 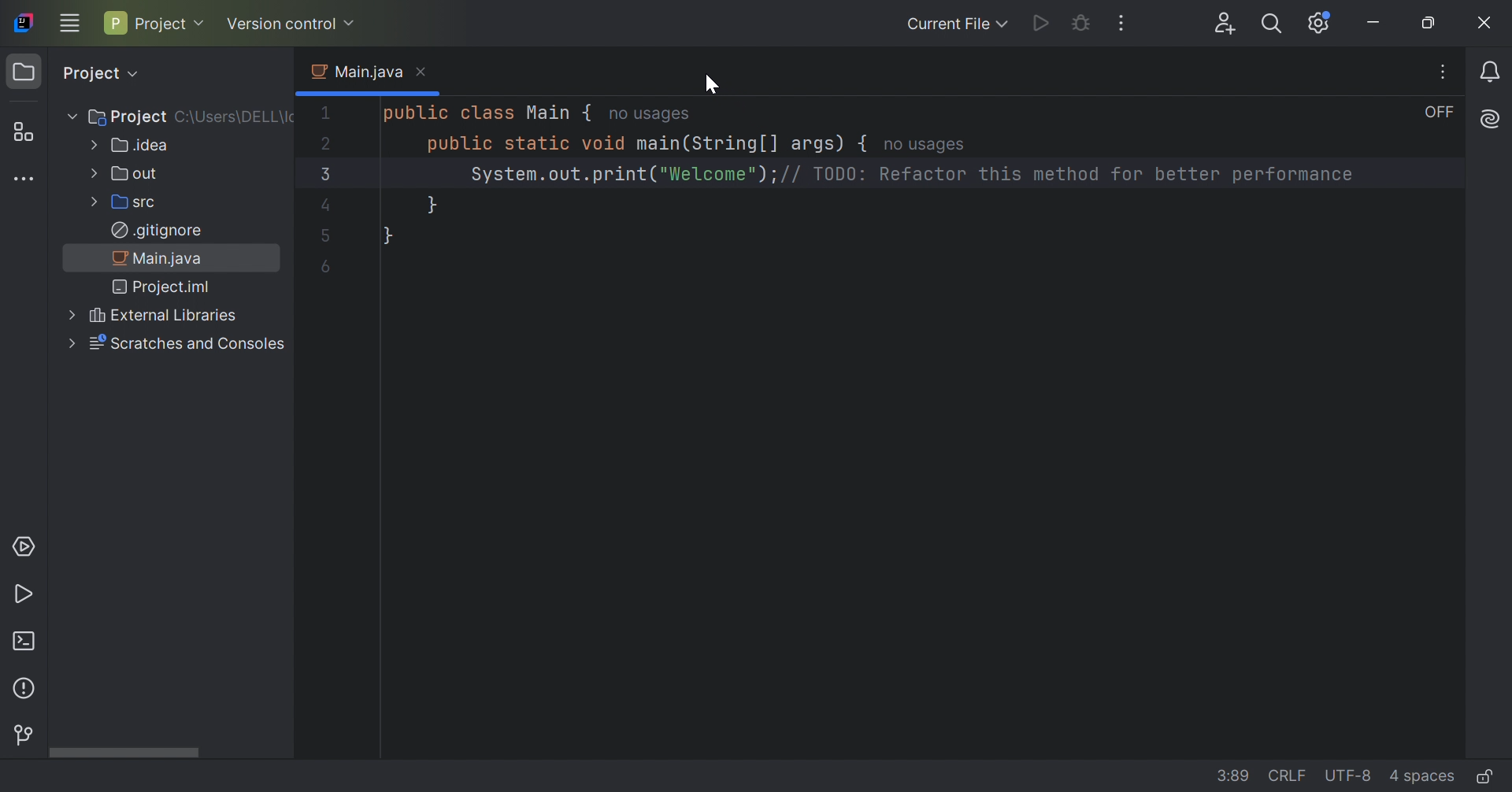 What do you see at coordinates (1377, 24) in the screenshot?
I see `Minimize` at bounding box center [1377, 24].